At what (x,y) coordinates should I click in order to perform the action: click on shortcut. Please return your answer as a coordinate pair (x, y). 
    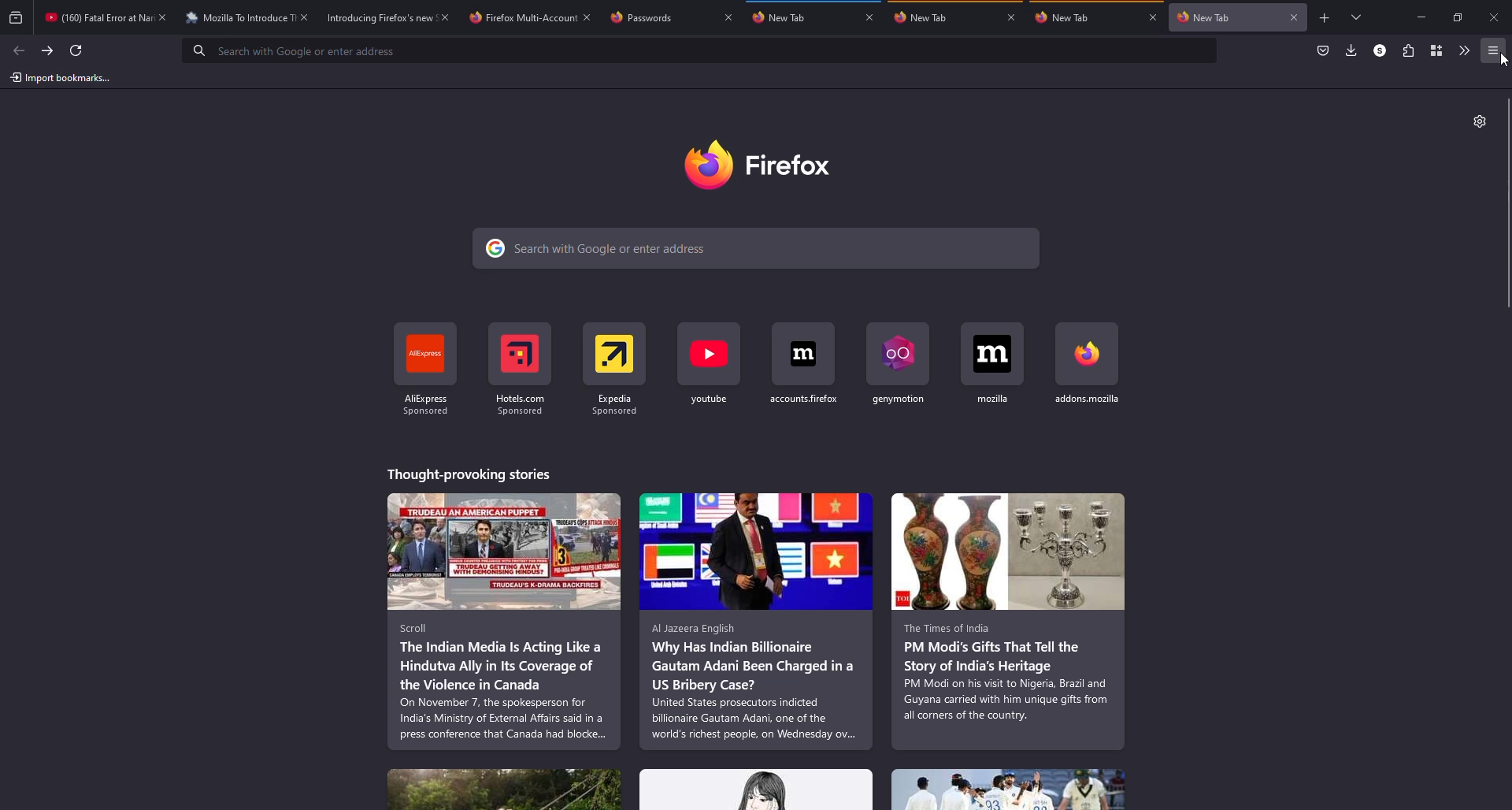
    Looking at the image, I should click on (993, 363).